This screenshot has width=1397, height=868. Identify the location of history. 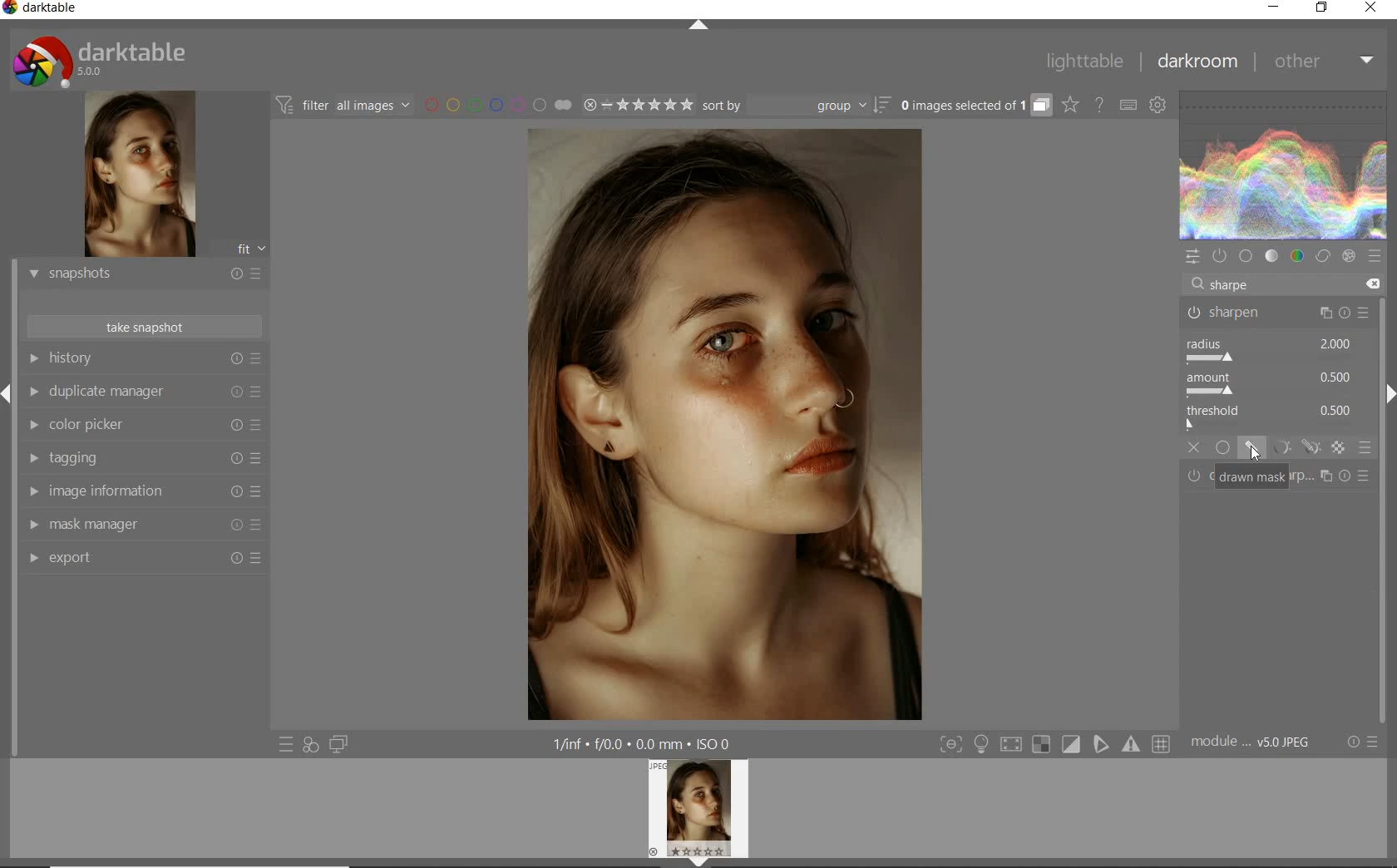
(144, 359).